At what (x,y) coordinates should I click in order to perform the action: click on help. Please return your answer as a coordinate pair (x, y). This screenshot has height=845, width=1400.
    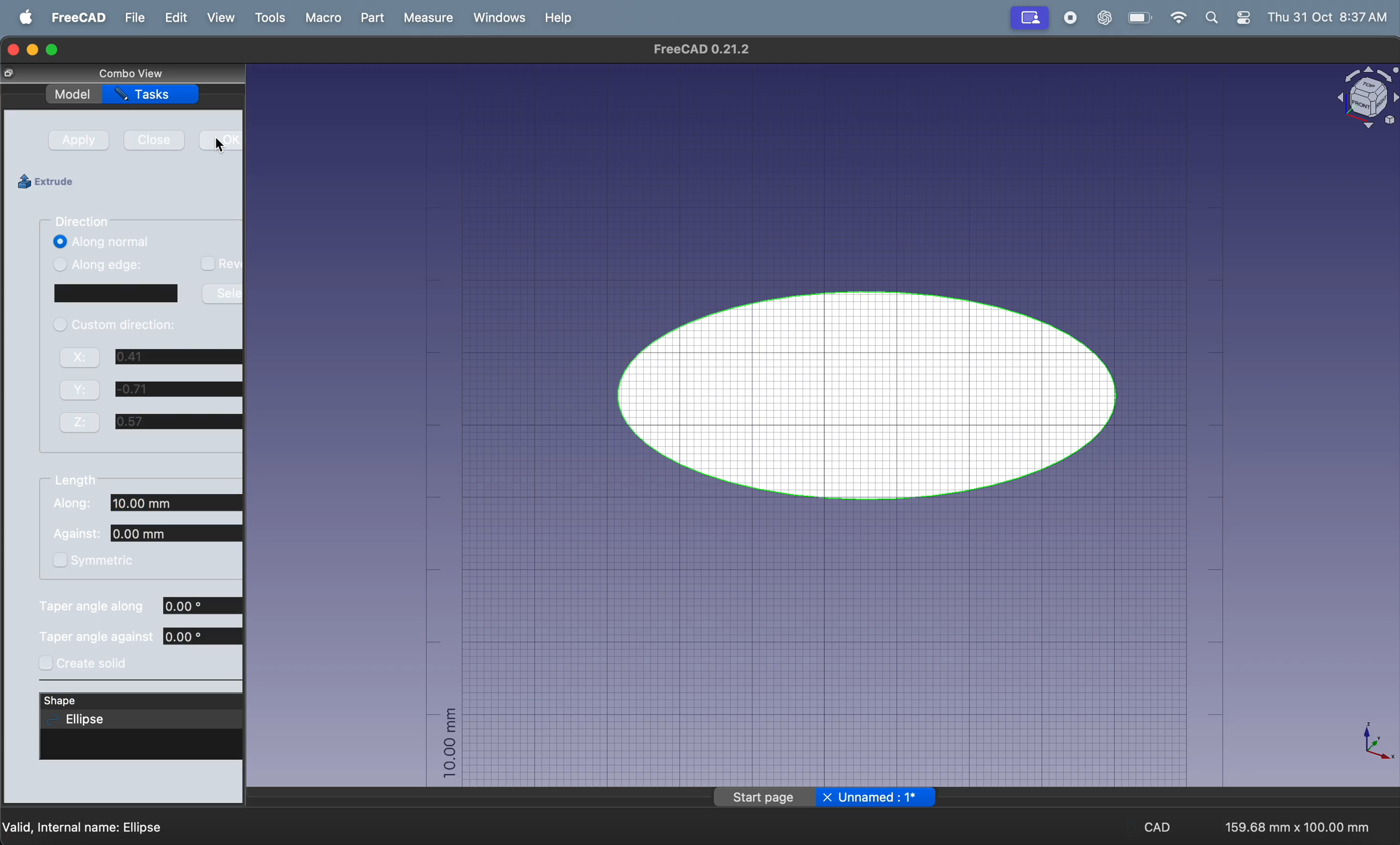
    Looking at the image, I should click on (561, 17).